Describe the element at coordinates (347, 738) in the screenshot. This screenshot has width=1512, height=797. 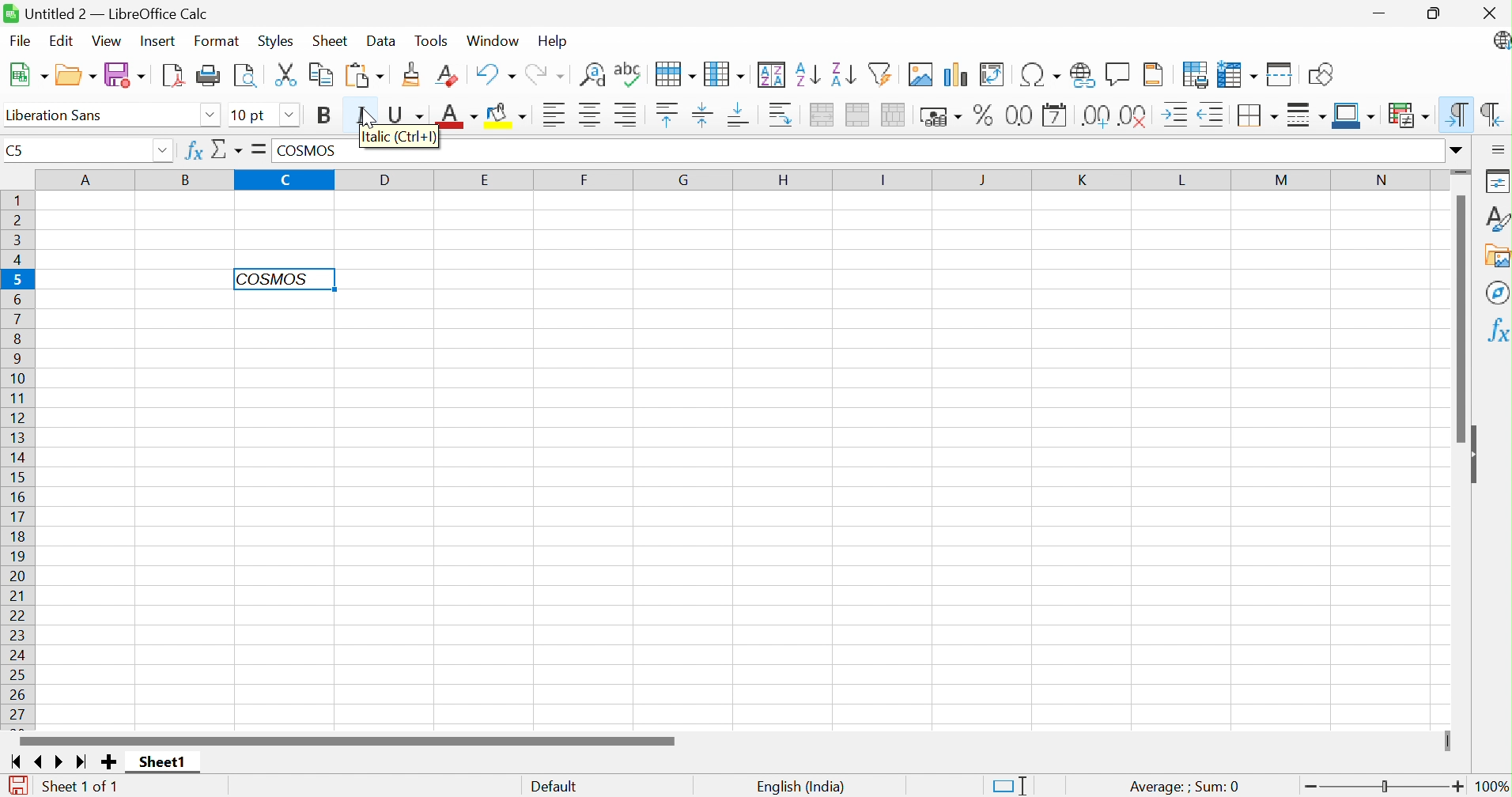
I see `Scroll bar` at that location.